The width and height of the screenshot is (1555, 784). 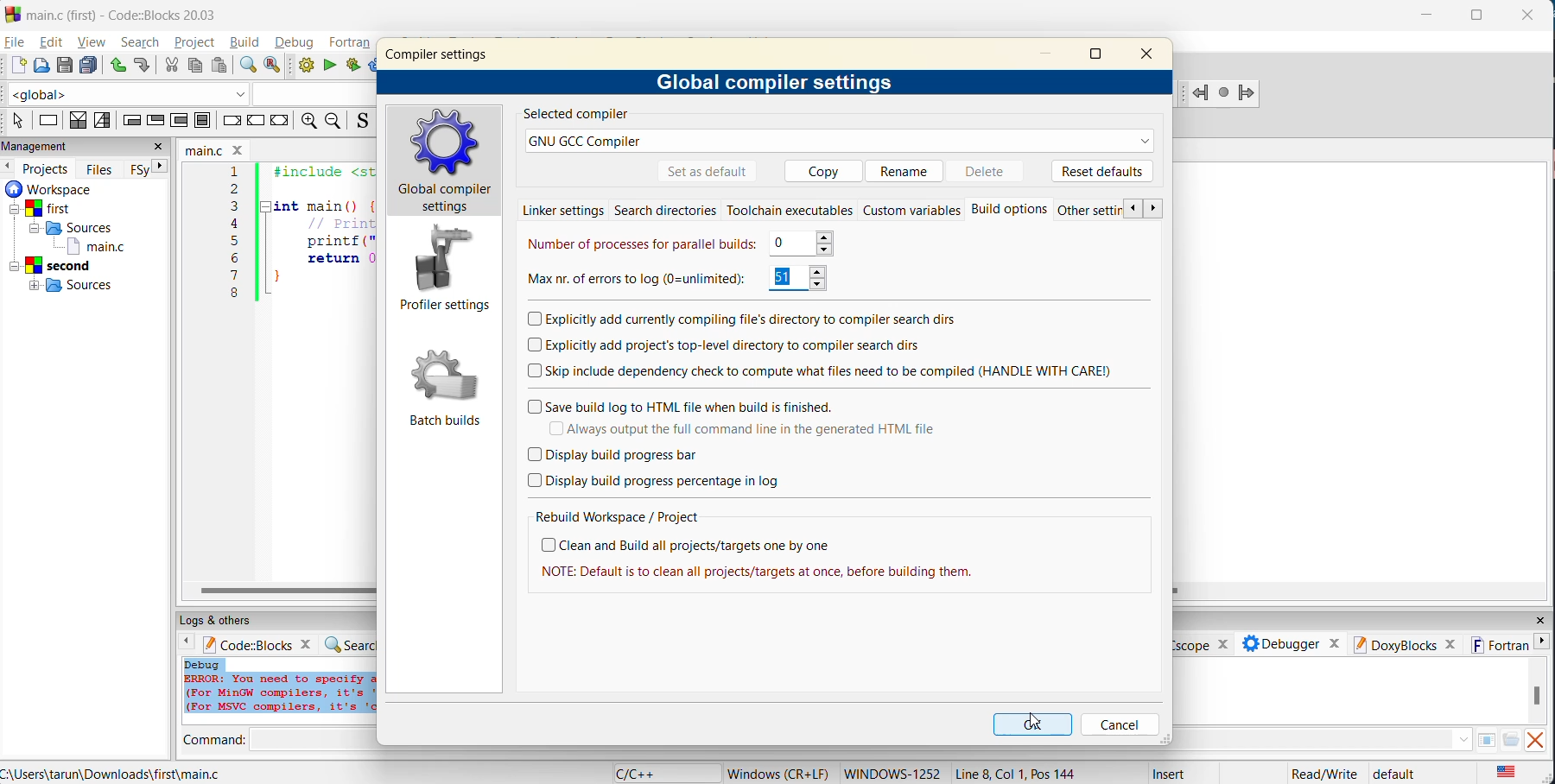 I want to click on display build progress bar, so click(x=617, y=457).